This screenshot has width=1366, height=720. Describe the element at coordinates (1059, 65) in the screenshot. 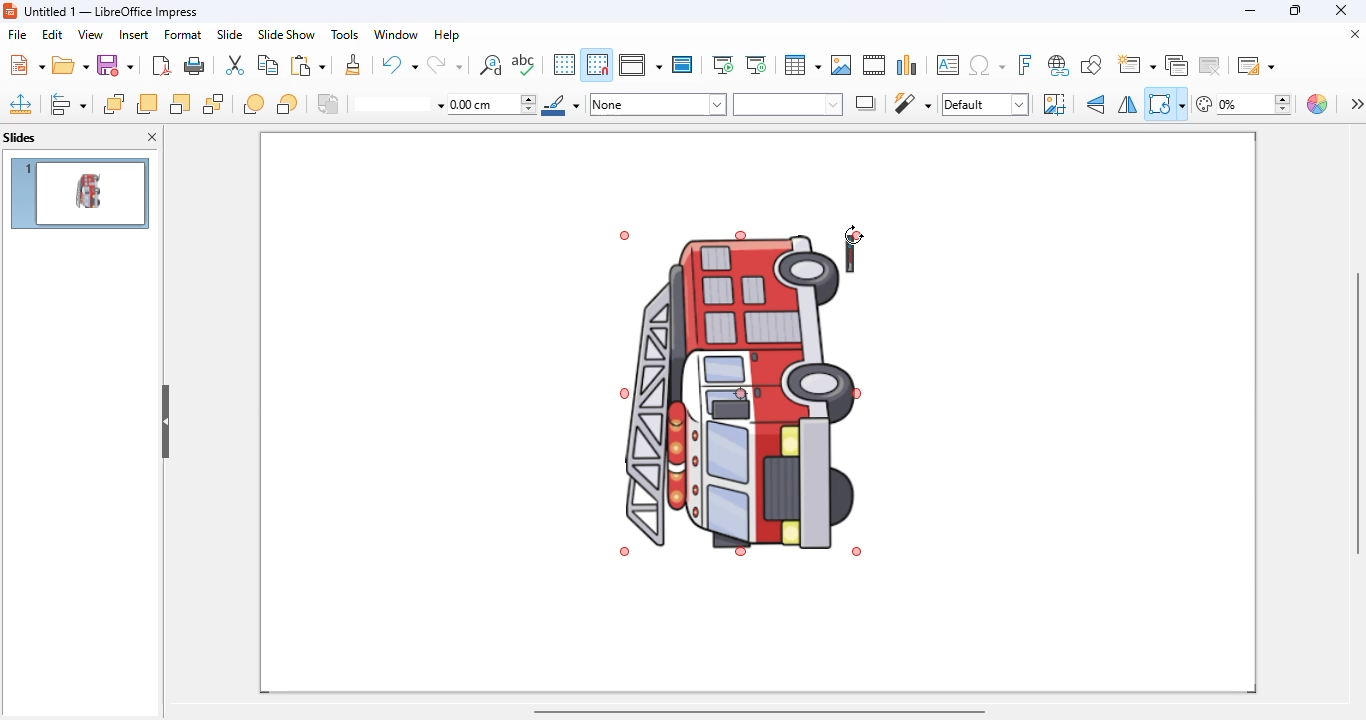

I see `insert hyperlink` at that location.